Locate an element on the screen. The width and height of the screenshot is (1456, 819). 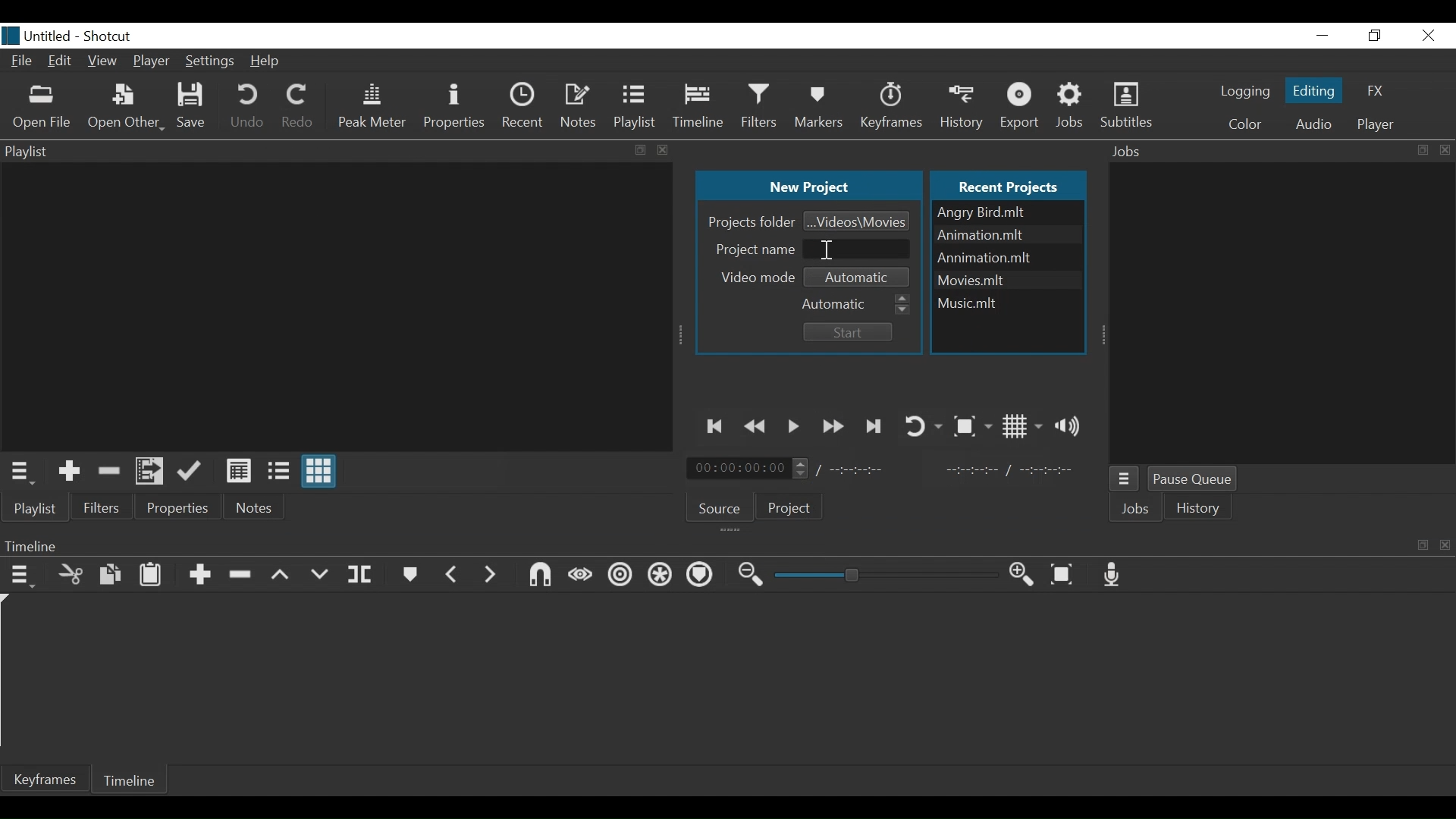
Project Name is located at coordinates (752, 248).